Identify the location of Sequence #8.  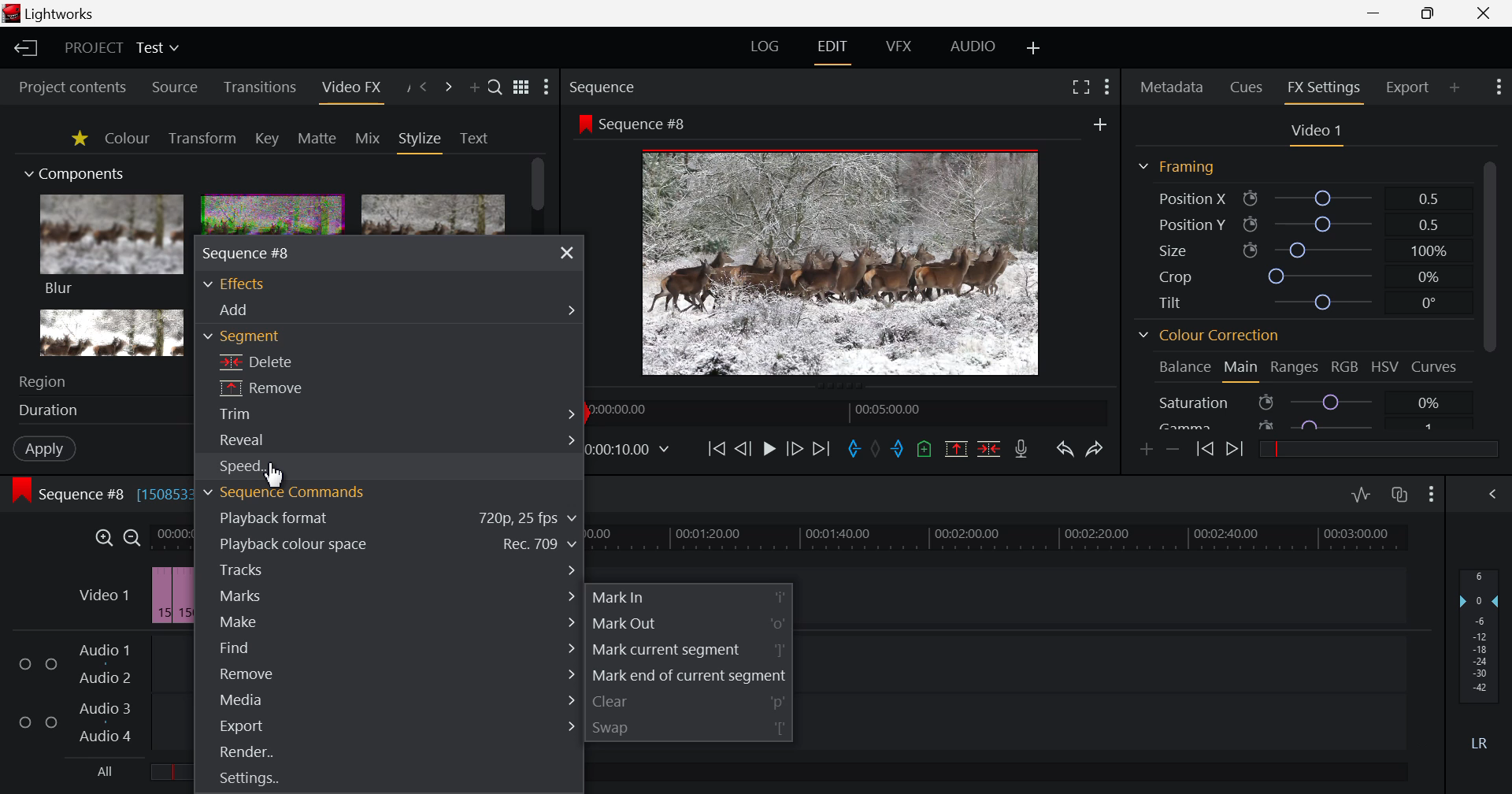
(634, 123).